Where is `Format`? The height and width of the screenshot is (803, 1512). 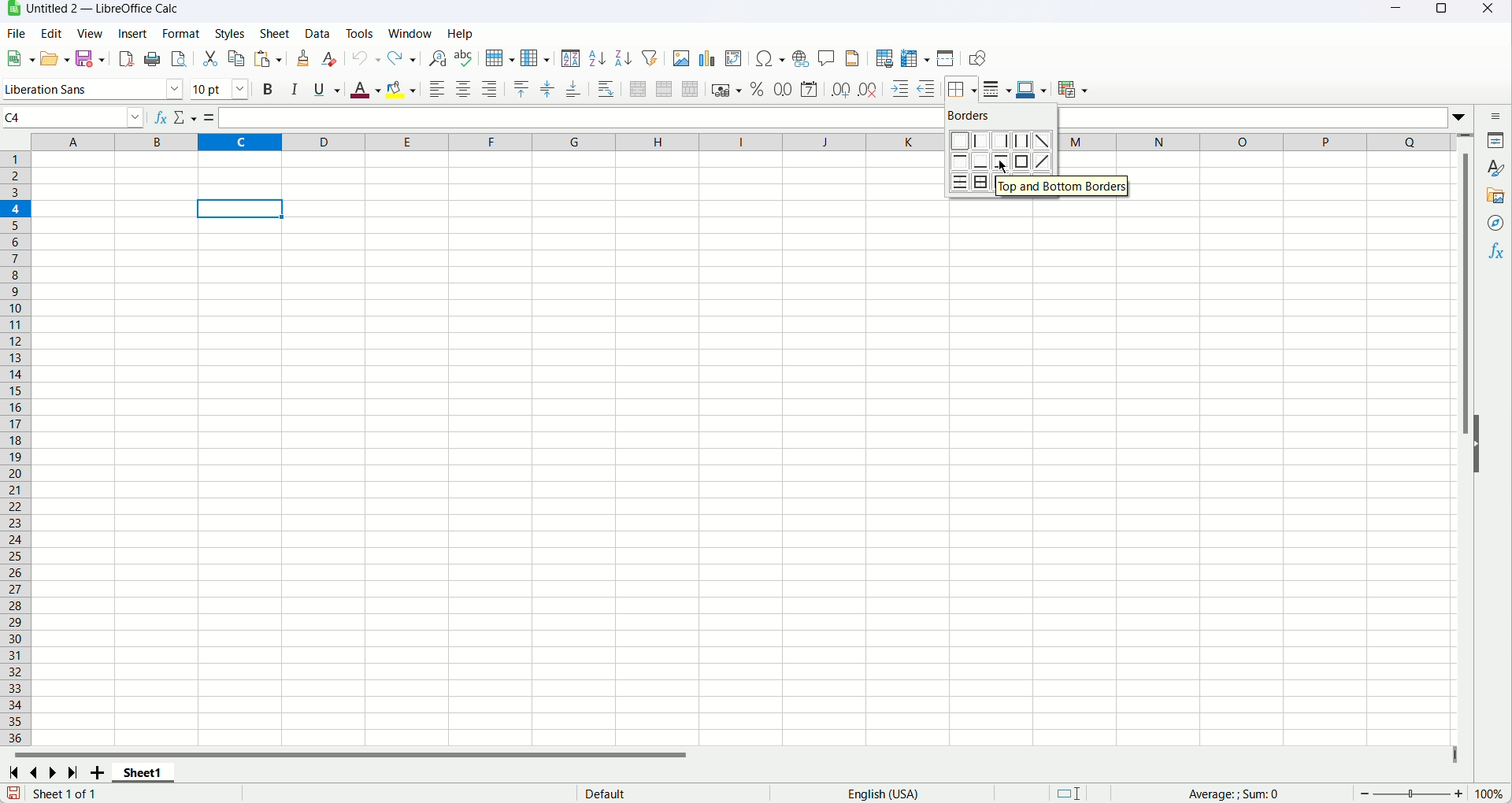
Format is located at coordinates (179, 32).